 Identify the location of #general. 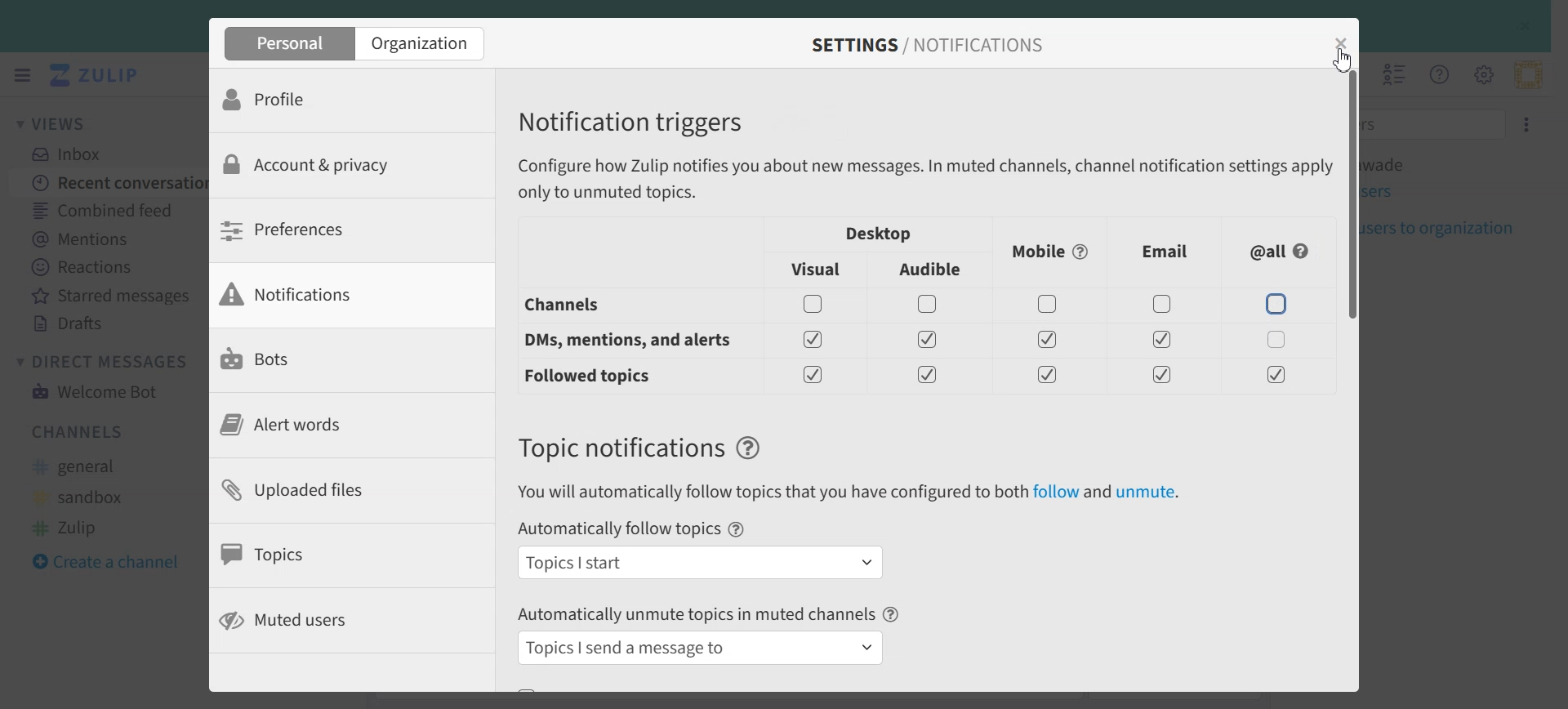
(82, 467).